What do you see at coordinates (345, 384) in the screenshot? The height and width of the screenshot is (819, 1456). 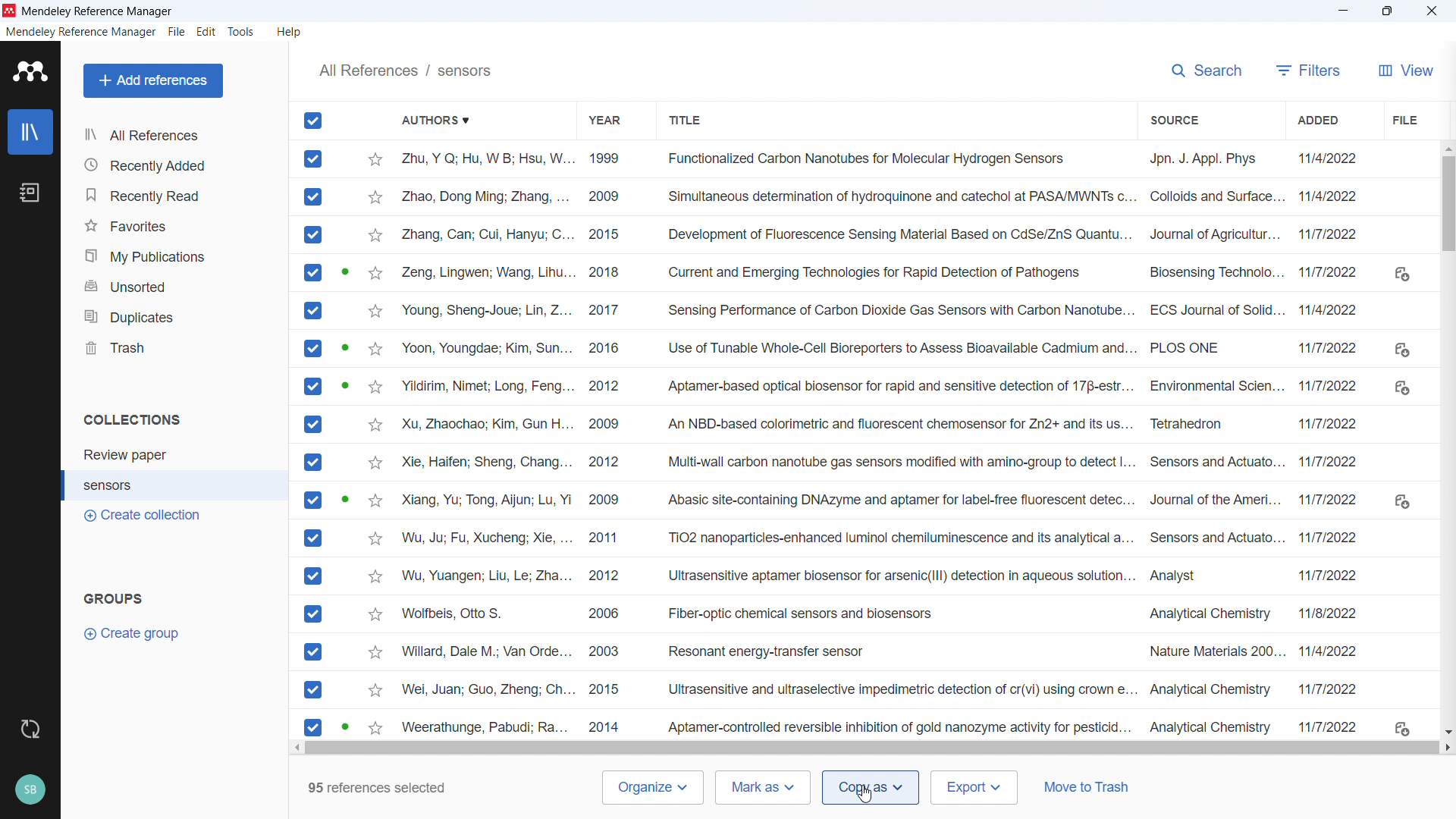 I see `PDF available` at bounding box center [345, 384].